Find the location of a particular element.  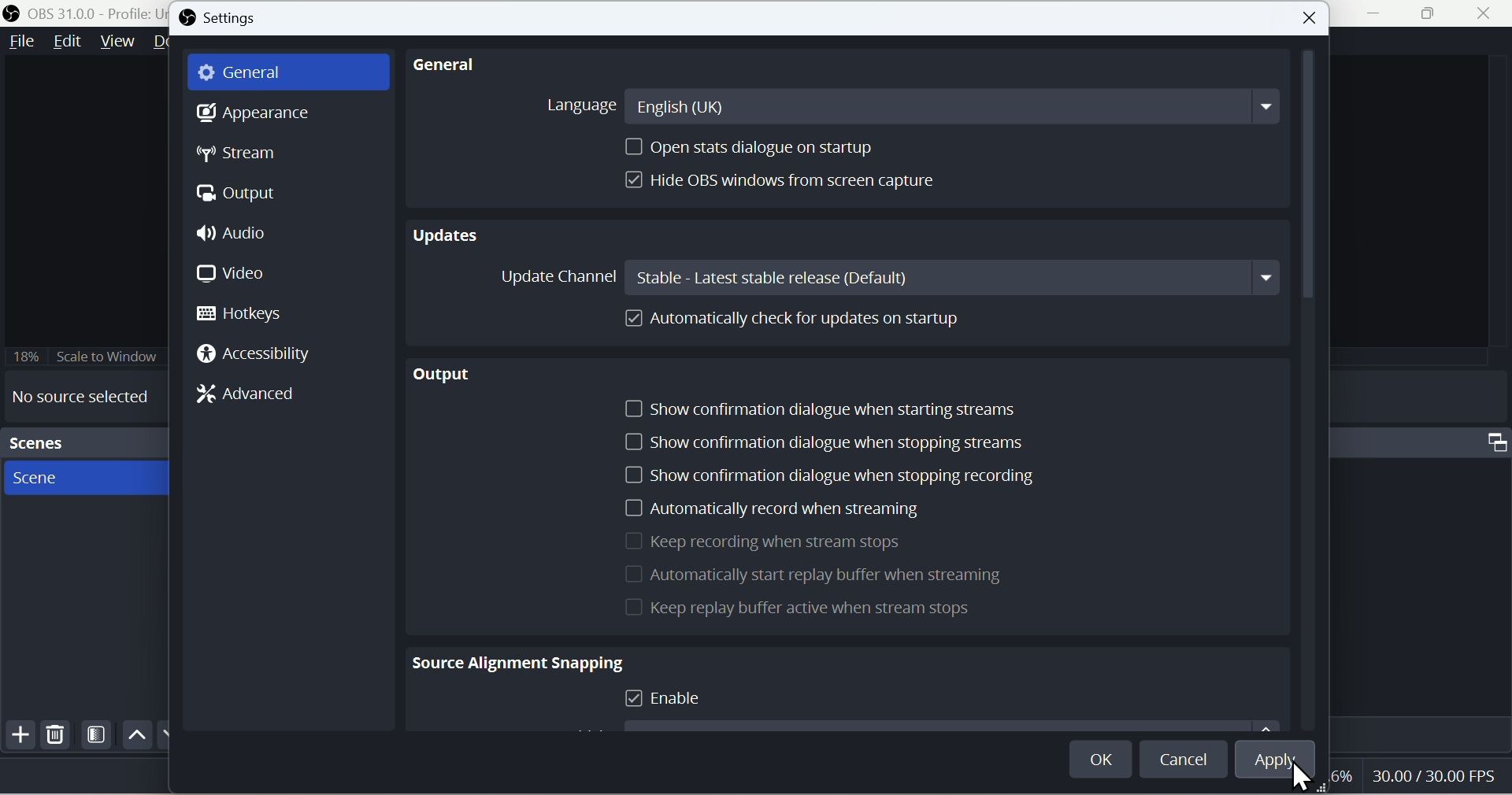

Stable: Latest stable release(Default) is located at coordinates (954, 276).